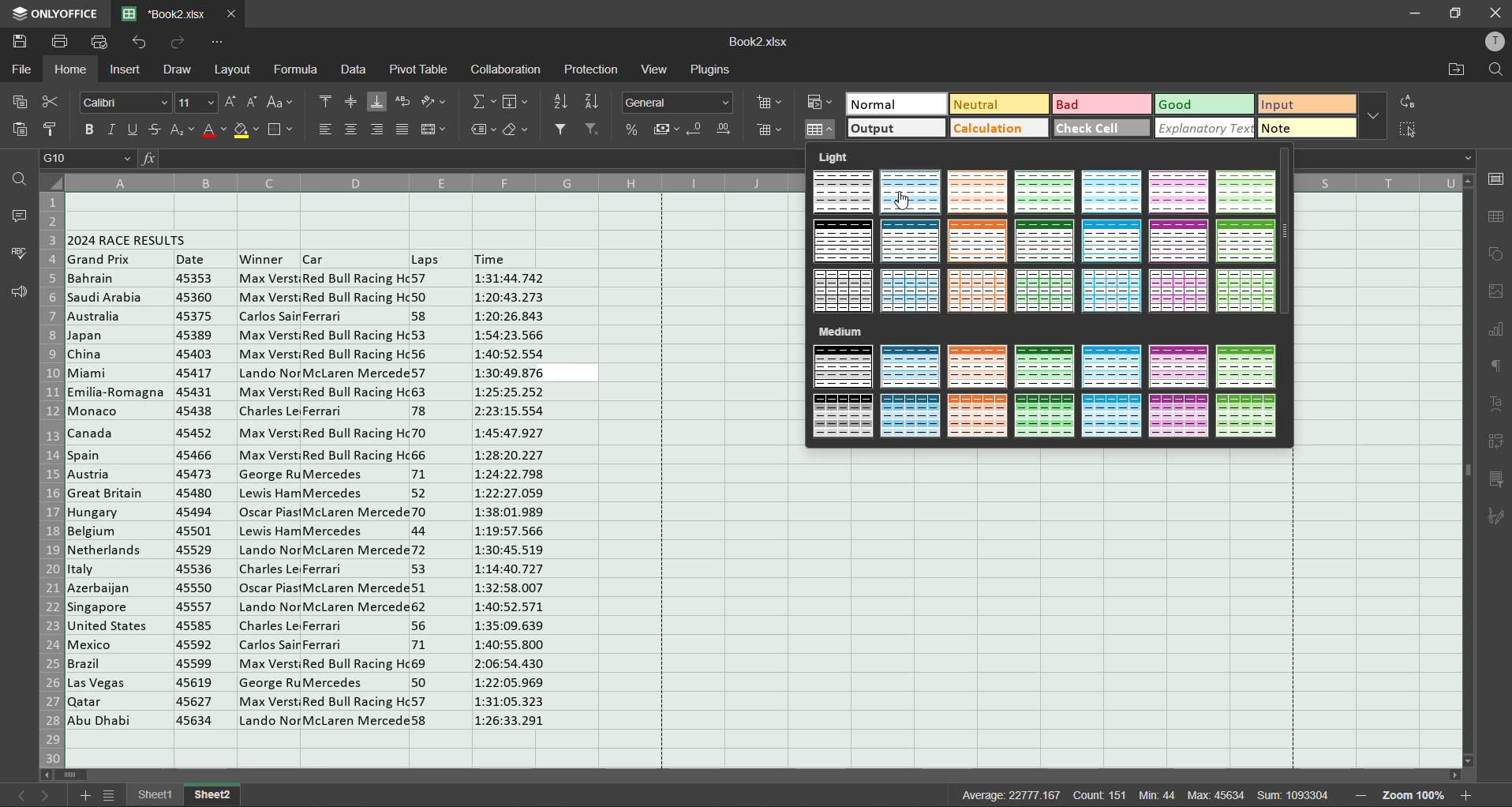 Image resolution: width=1512 pixels, height=807 pixels. What do you see at coordinates (1304, 106) in the screenshot?
I see `input` at bounding box center [1304, 106].